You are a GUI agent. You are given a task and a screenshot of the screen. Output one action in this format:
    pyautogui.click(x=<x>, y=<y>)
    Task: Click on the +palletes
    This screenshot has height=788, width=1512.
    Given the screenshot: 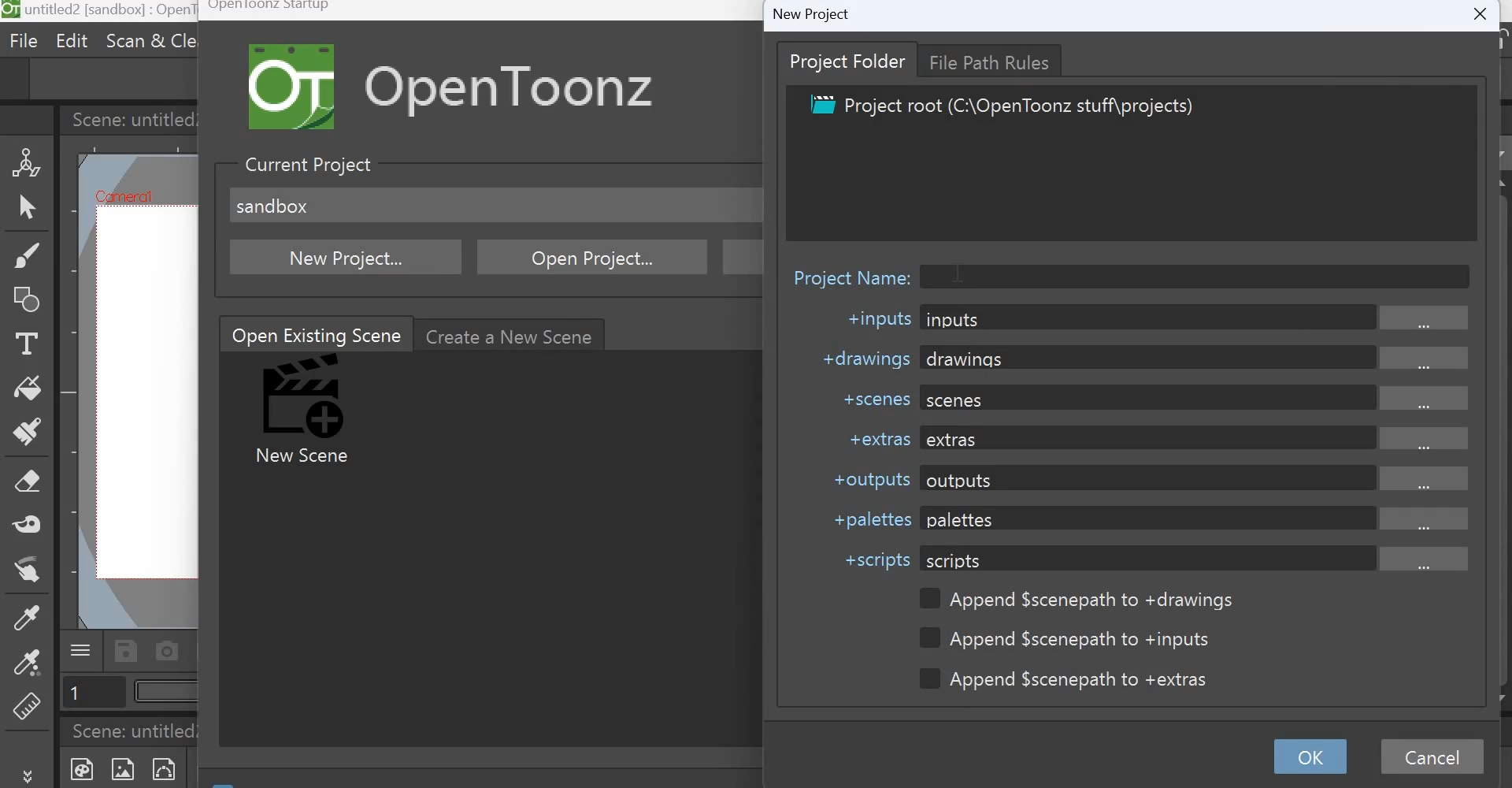 What is the action you would take?
    pyautogui.click(x=869, y=520)
    